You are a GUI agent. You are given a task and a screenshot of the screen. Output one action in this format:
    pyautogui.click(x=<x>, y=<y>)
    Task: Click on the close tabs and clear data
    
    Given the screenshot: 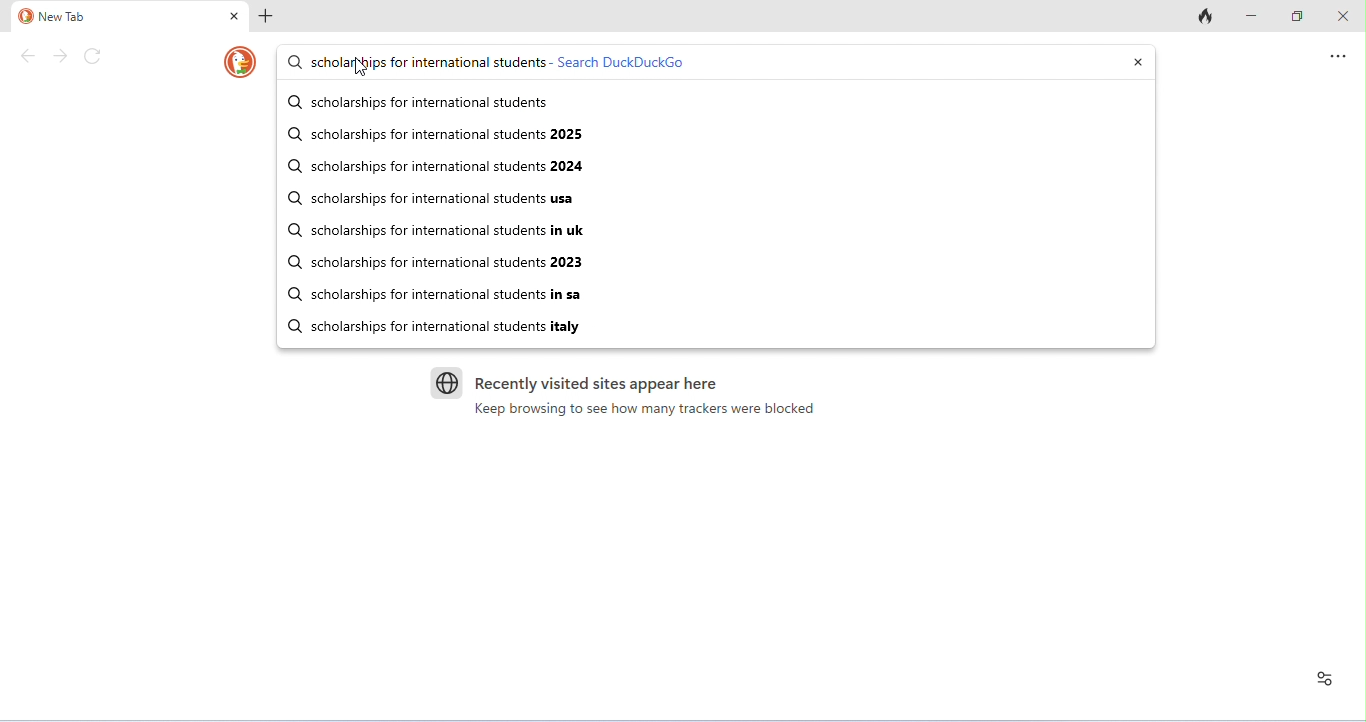 What is the action you would take?
    pyautogui.click(x=1204, y=17)
    